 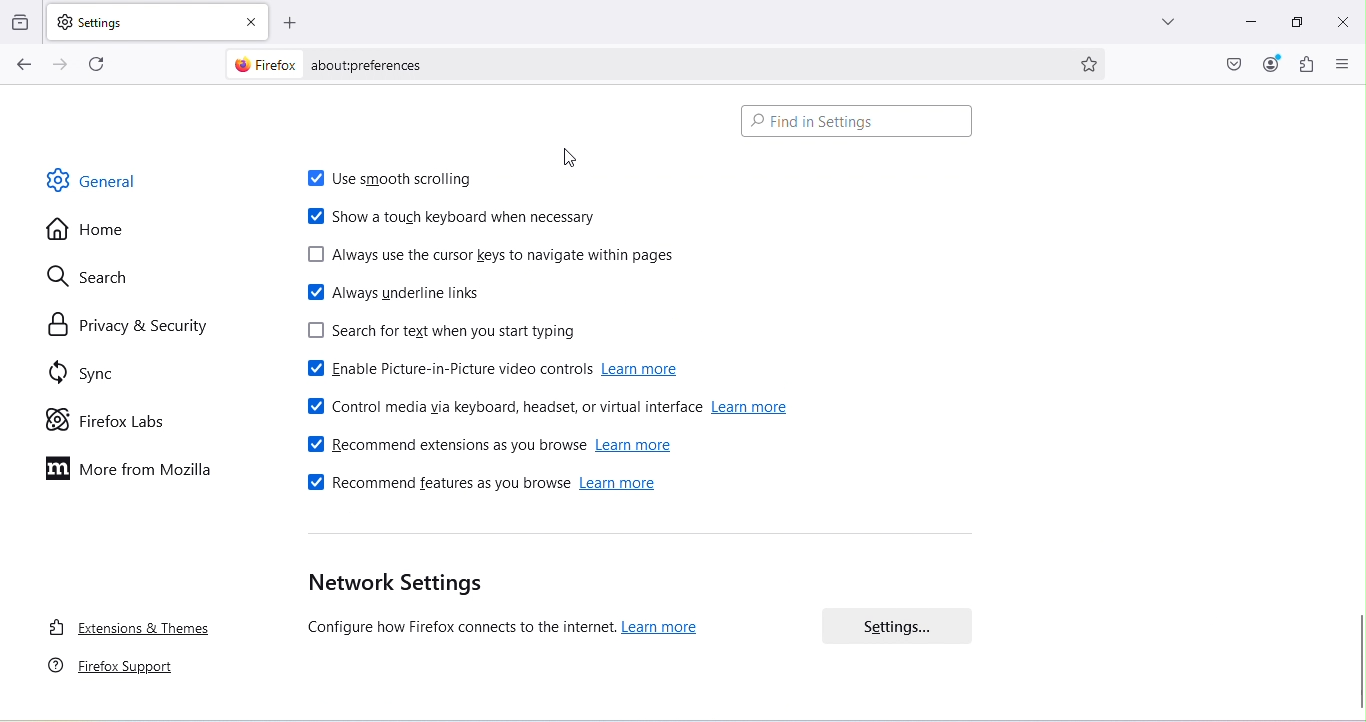 I want to click on Bookmark this page, so click(x=1101, y=66).